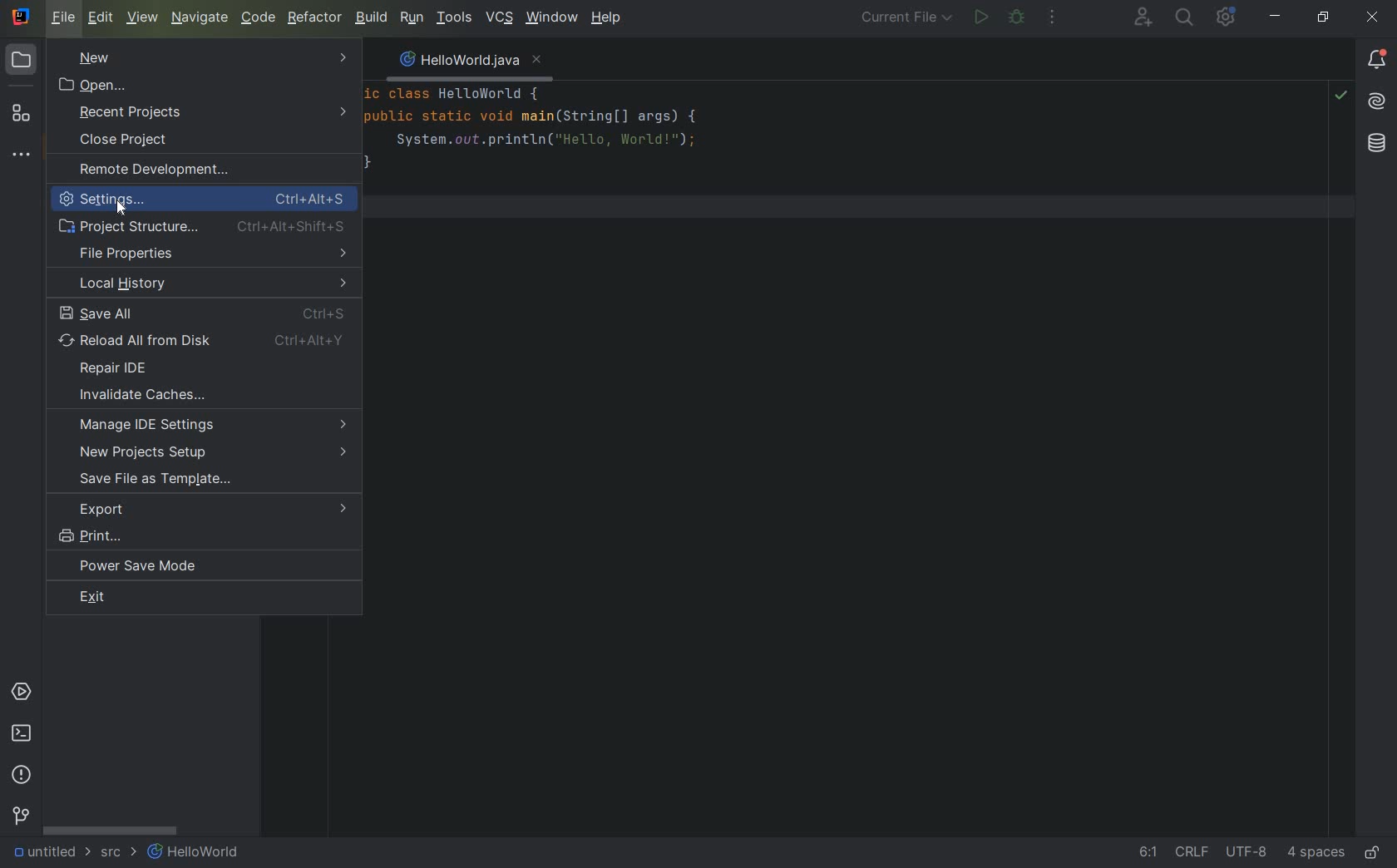  Describe the element at coordinates (102, 18) in the screenshot. I see `EDIT` at that location.